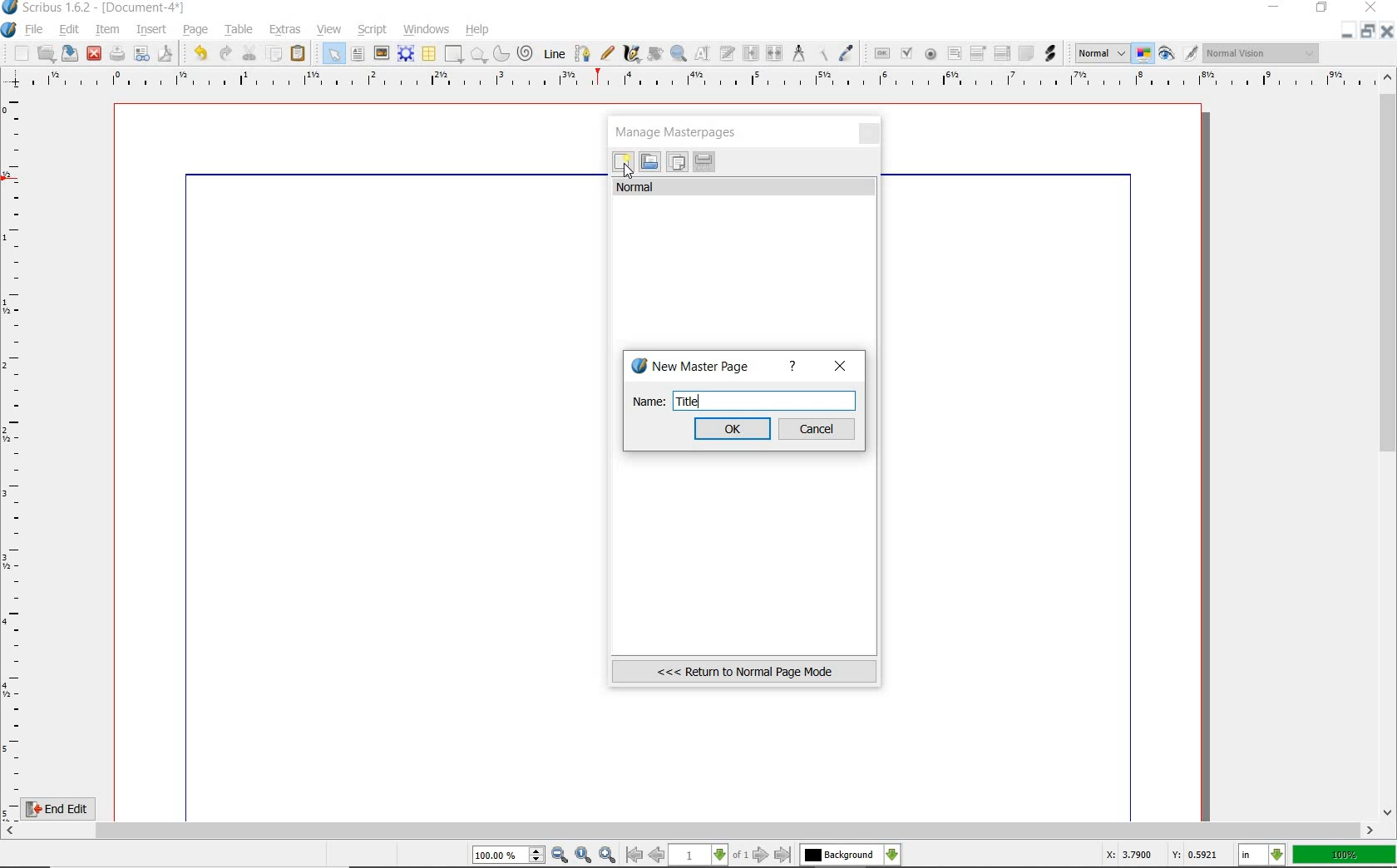 The width and height of the screenshot is (1397, 868). I want to click on spiral, so click(526, 53).